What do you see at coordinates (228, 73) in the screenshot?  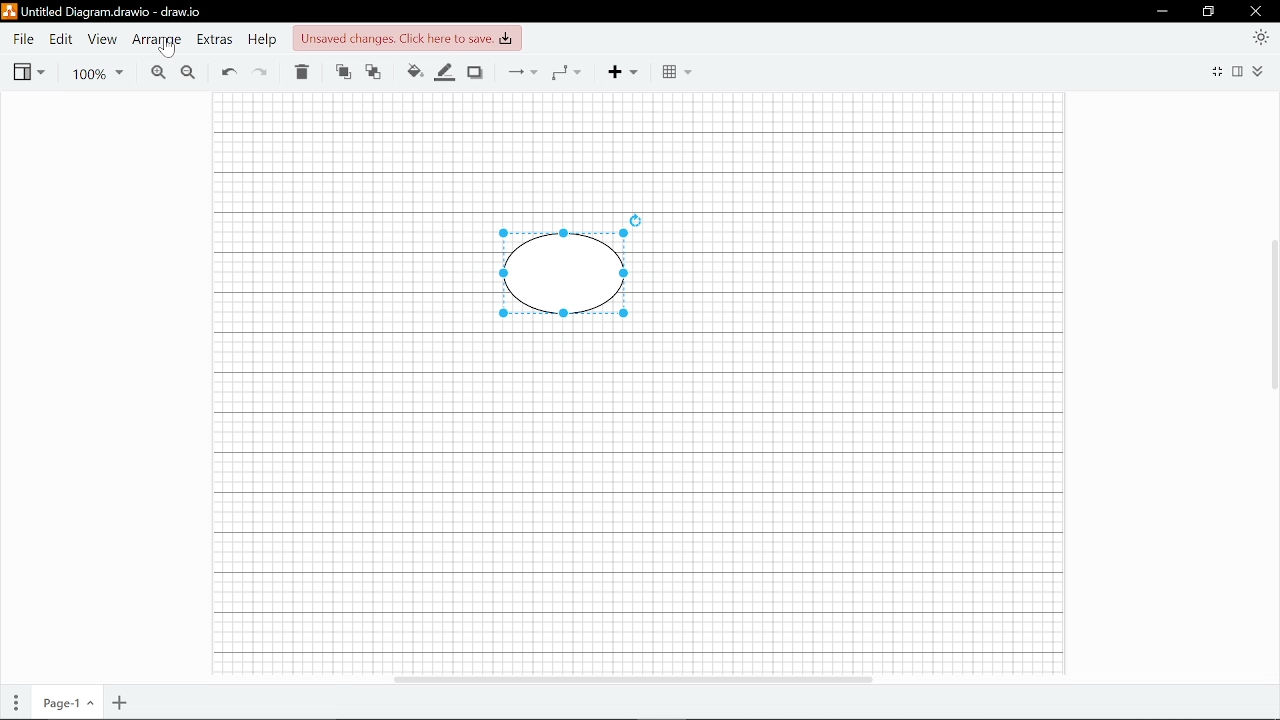 I see `Undo` at bounding box center [228, 73].